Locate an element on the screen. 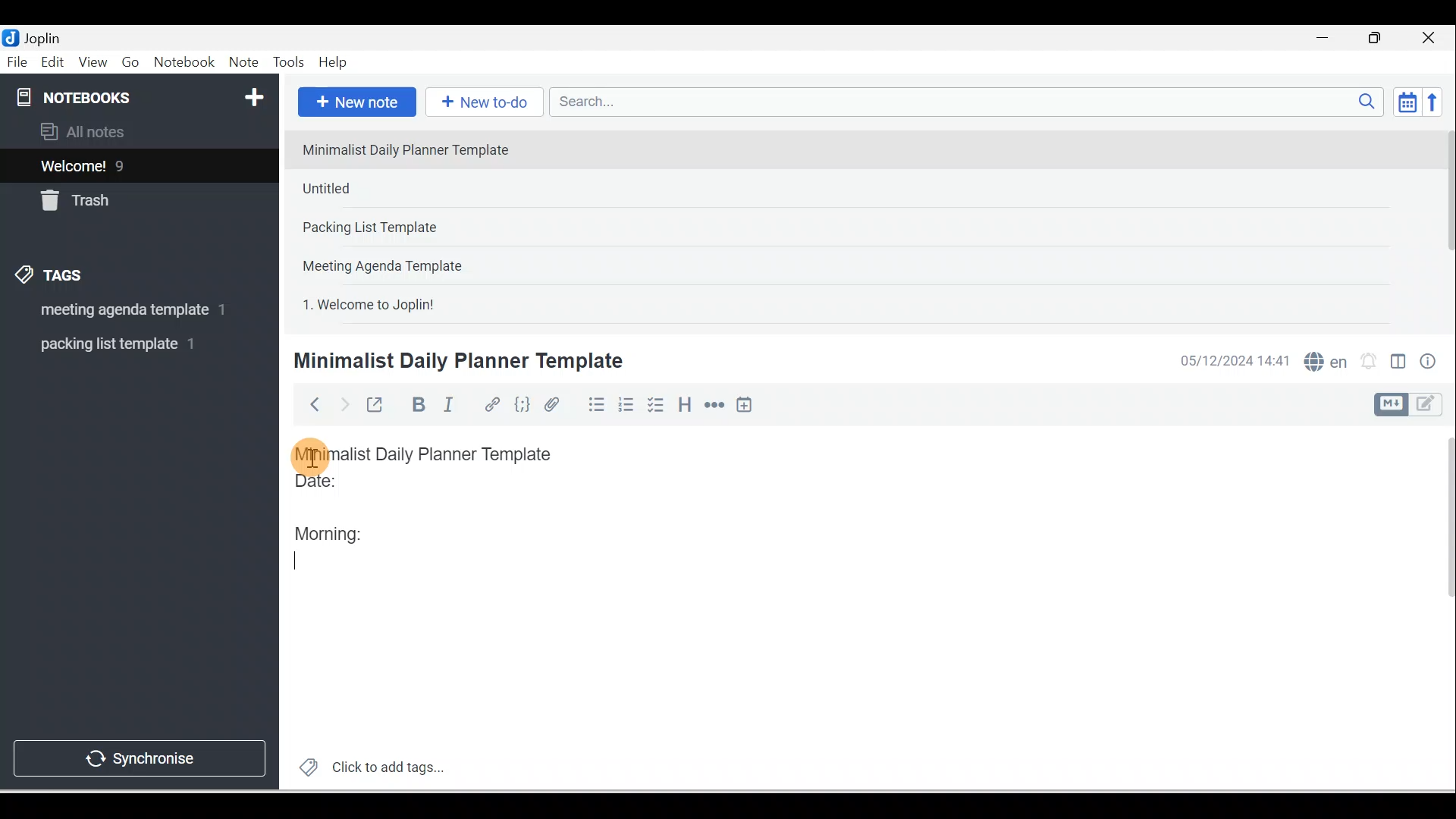 This screenshot has width=1456, height=819. Toggle external editing is located at coordinates (377, 408).